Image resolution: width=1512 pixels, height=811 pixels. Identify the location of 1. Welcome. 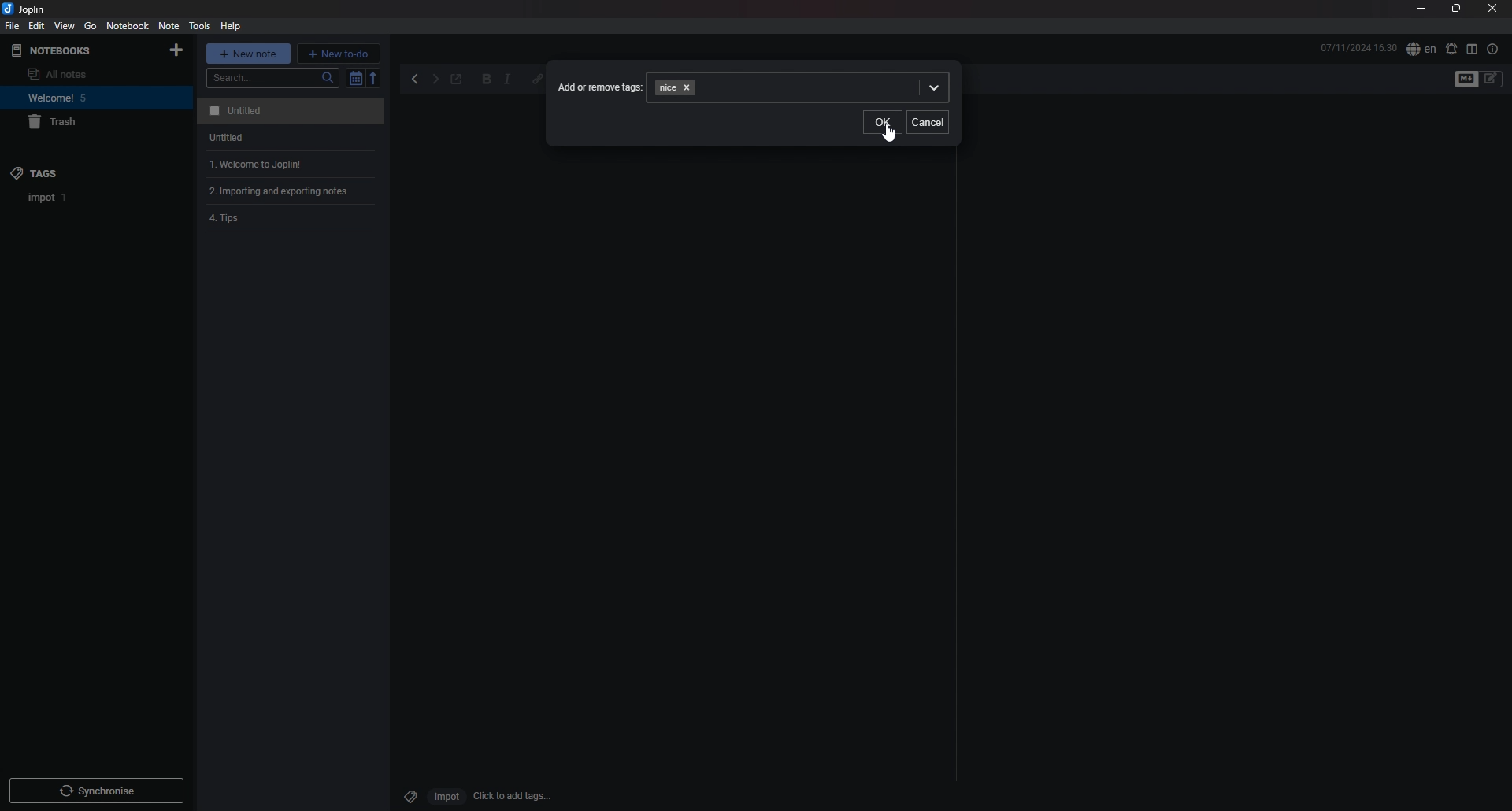
(250, 164).